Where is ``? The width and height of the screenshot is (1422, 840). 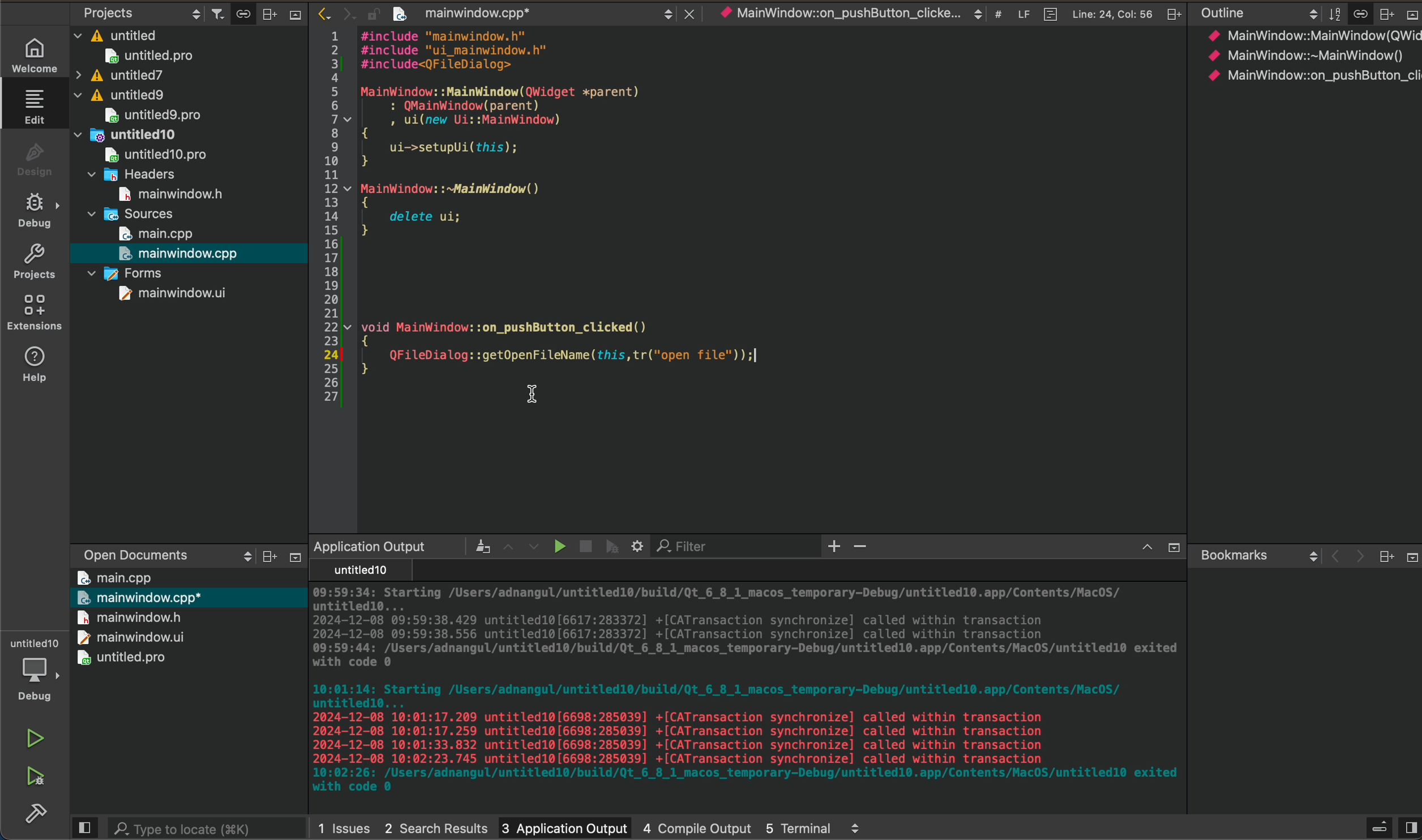  is located at coordinates (856, 828).